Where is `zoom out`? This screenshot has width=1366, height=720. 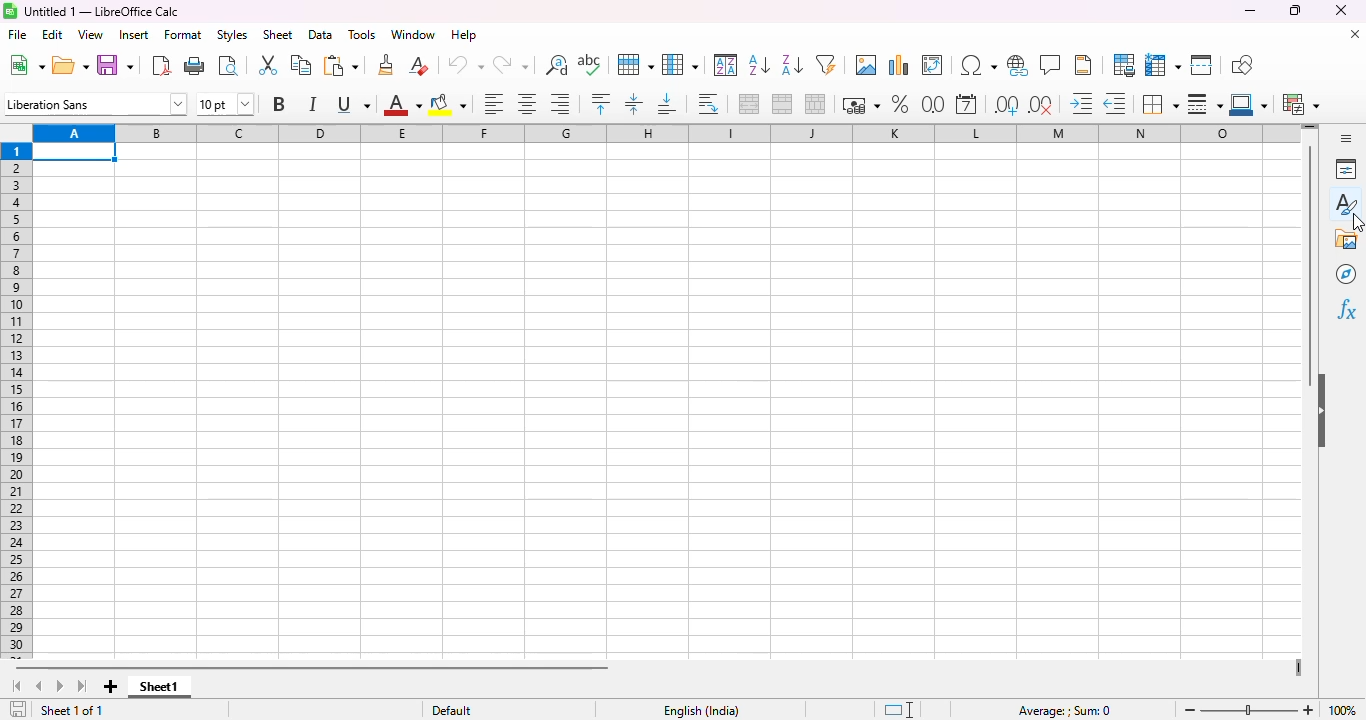
zoom out is located at coordinates (1190, 710).